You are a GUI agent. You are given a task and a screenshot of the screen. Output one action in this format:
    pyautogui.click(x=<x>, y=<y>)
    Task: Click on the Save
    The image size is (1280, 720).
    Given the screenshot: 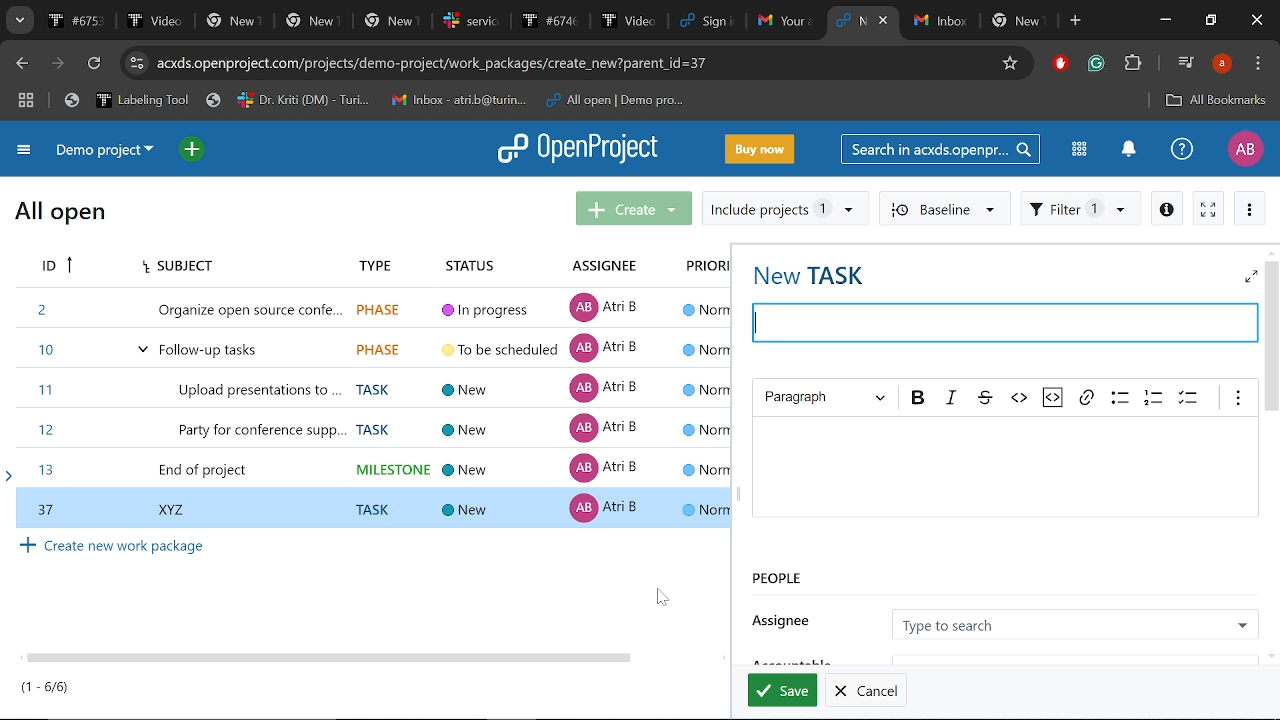 What is the action you would take?
    pyautogui.click(x=783, y=690)
    